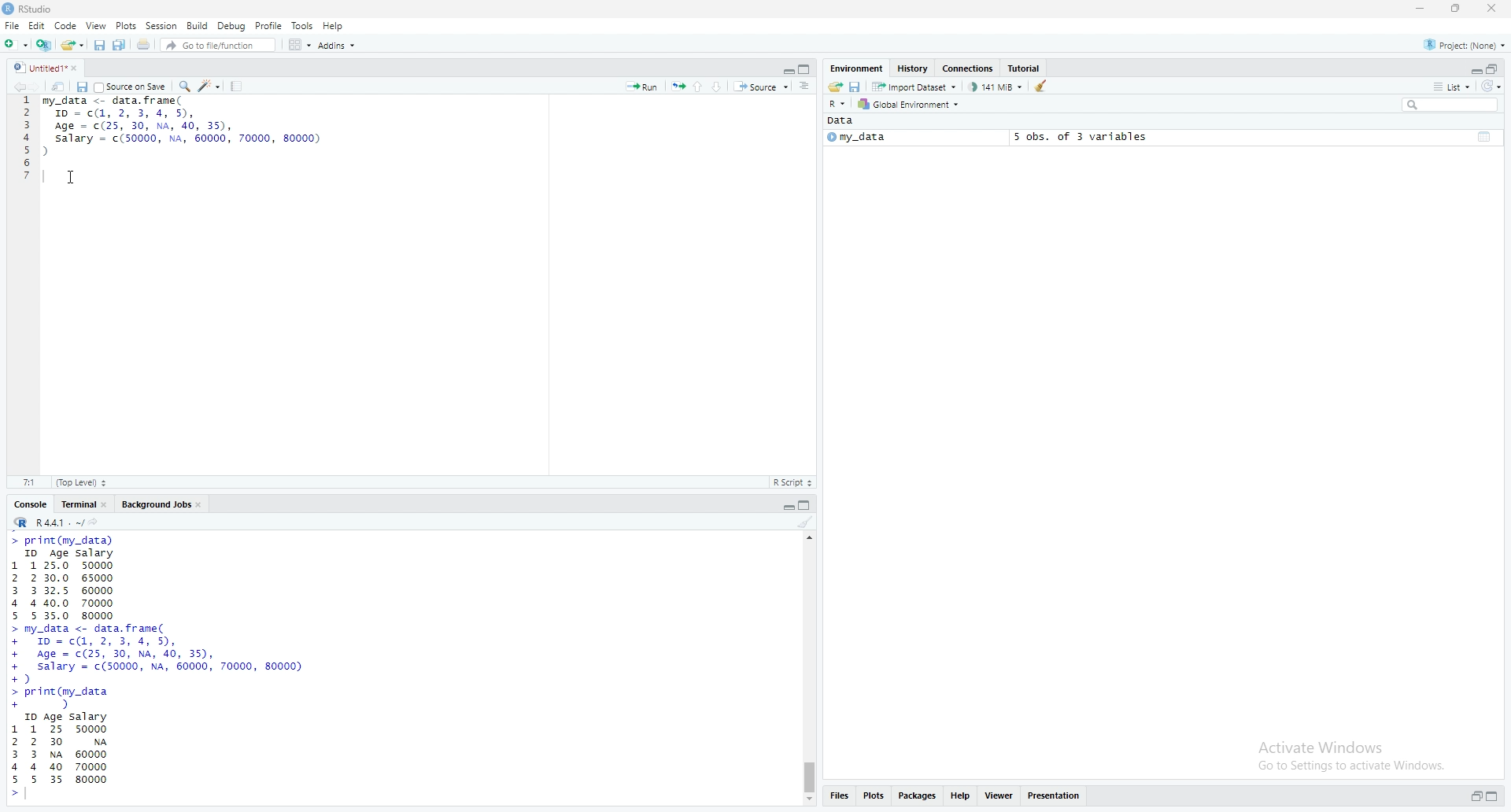 This screenshot has height=812, width=1511. What do you see at coordinates (48, 523) in the screenshot?
I see `R 4.4.1` at bounding box center [48, 523].